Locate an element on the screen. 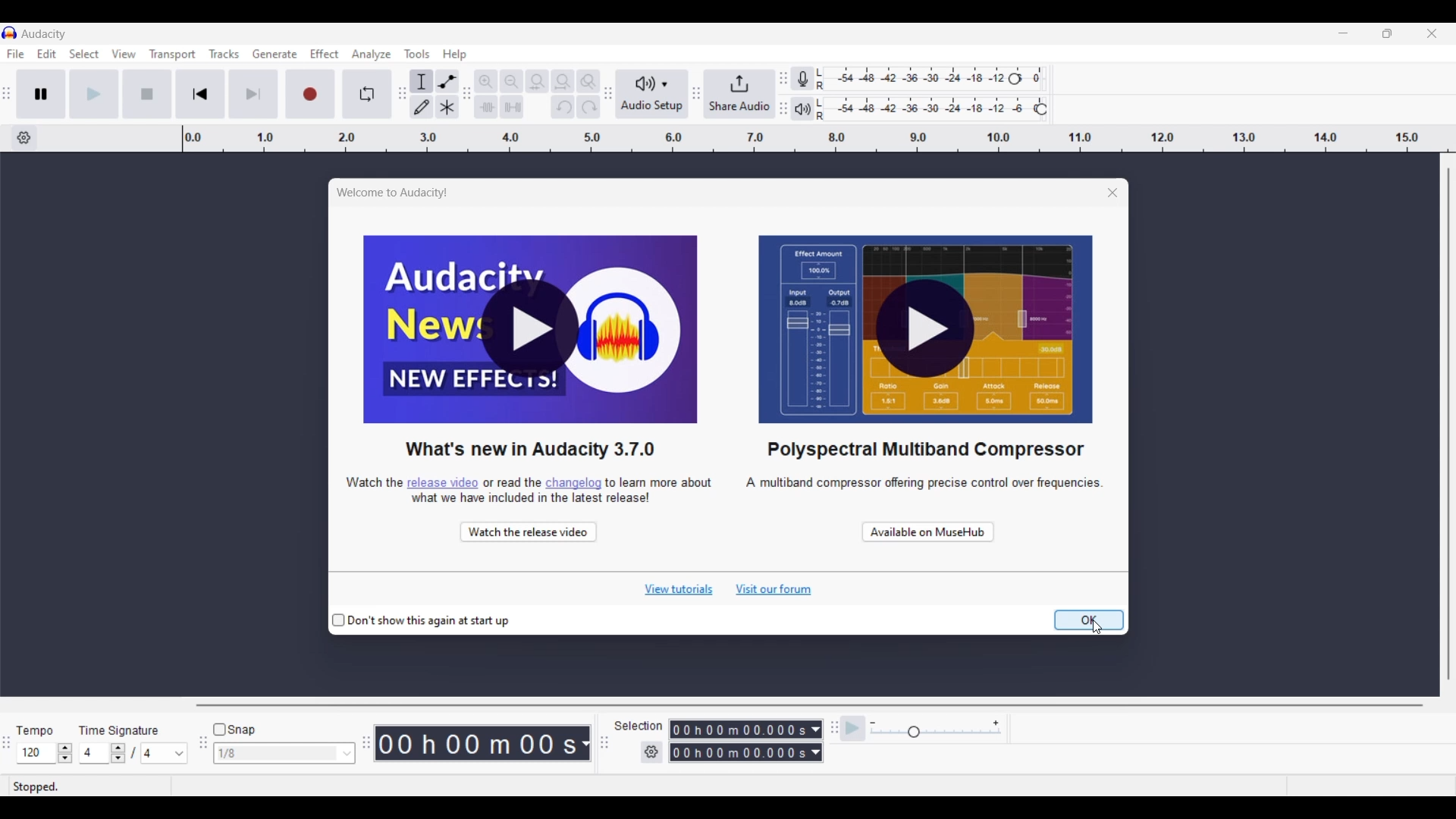 The width and height of the screenshot is (1456, 819). Selection tool is located at coordinates (422, 81).